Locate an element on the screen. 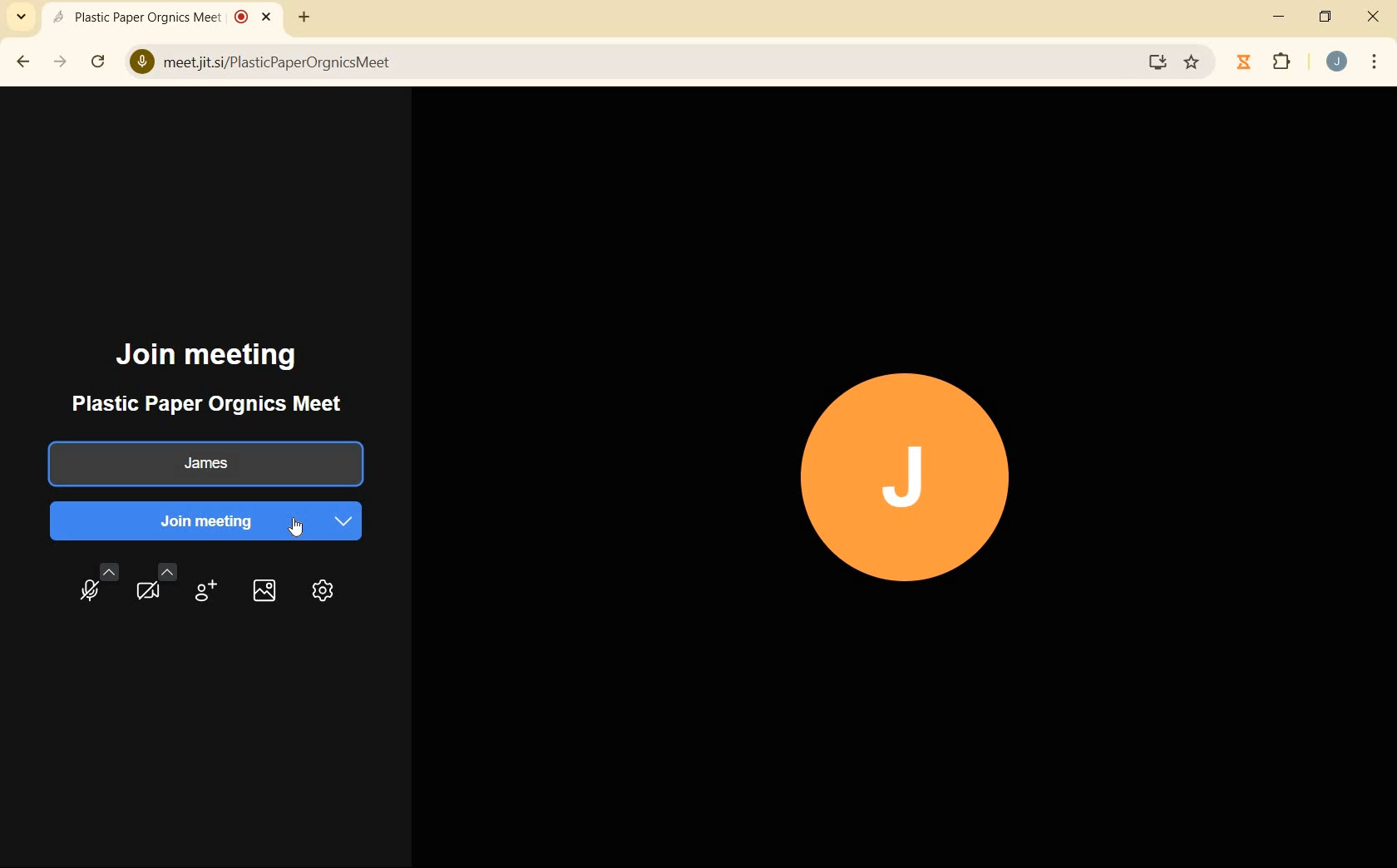 The image size is (1397, 868). meeting URL is located at coordinates (279, 64).